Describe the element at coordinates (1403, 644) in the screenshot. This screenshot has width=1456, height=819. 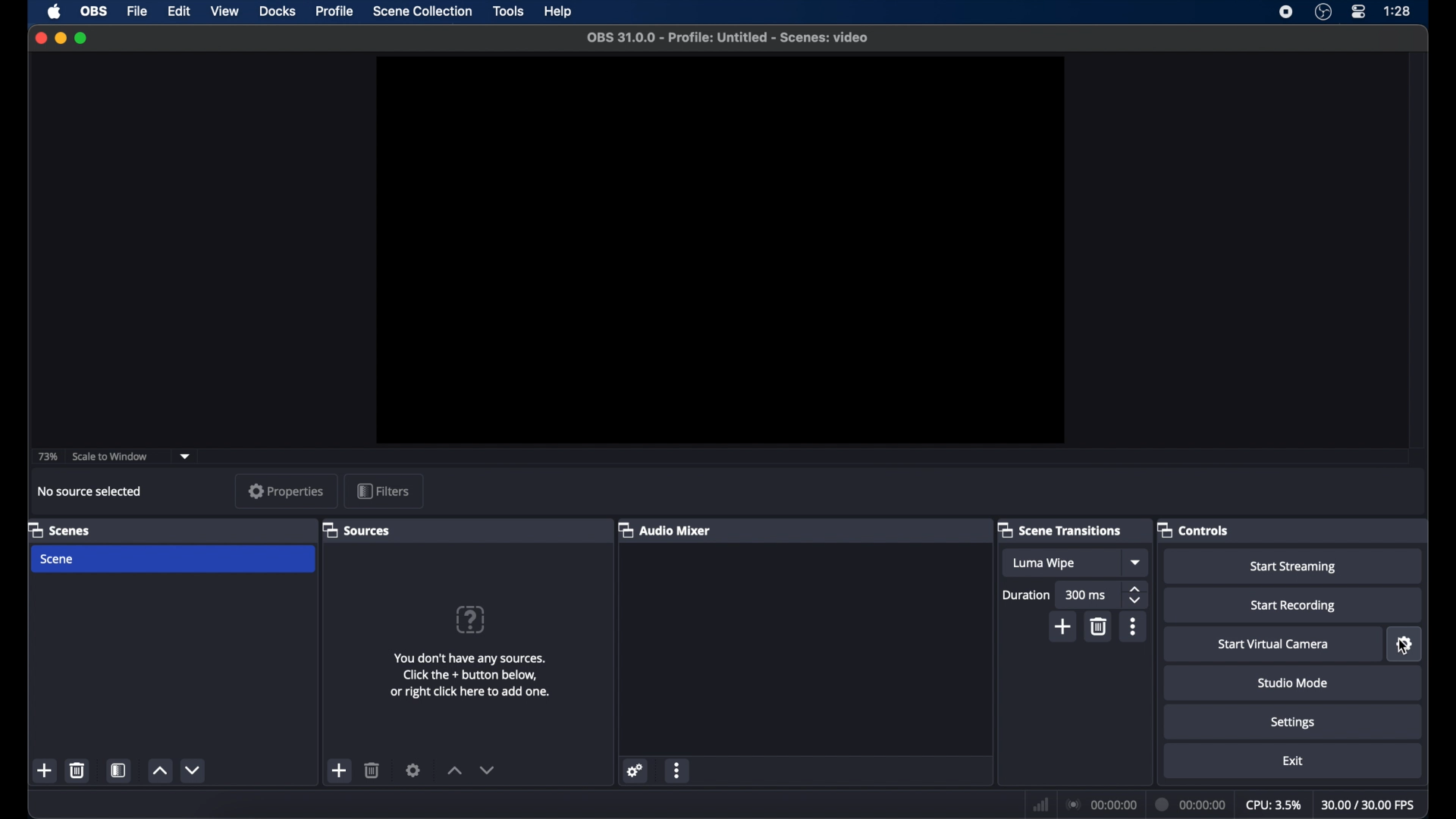
I see `settings` at that location.